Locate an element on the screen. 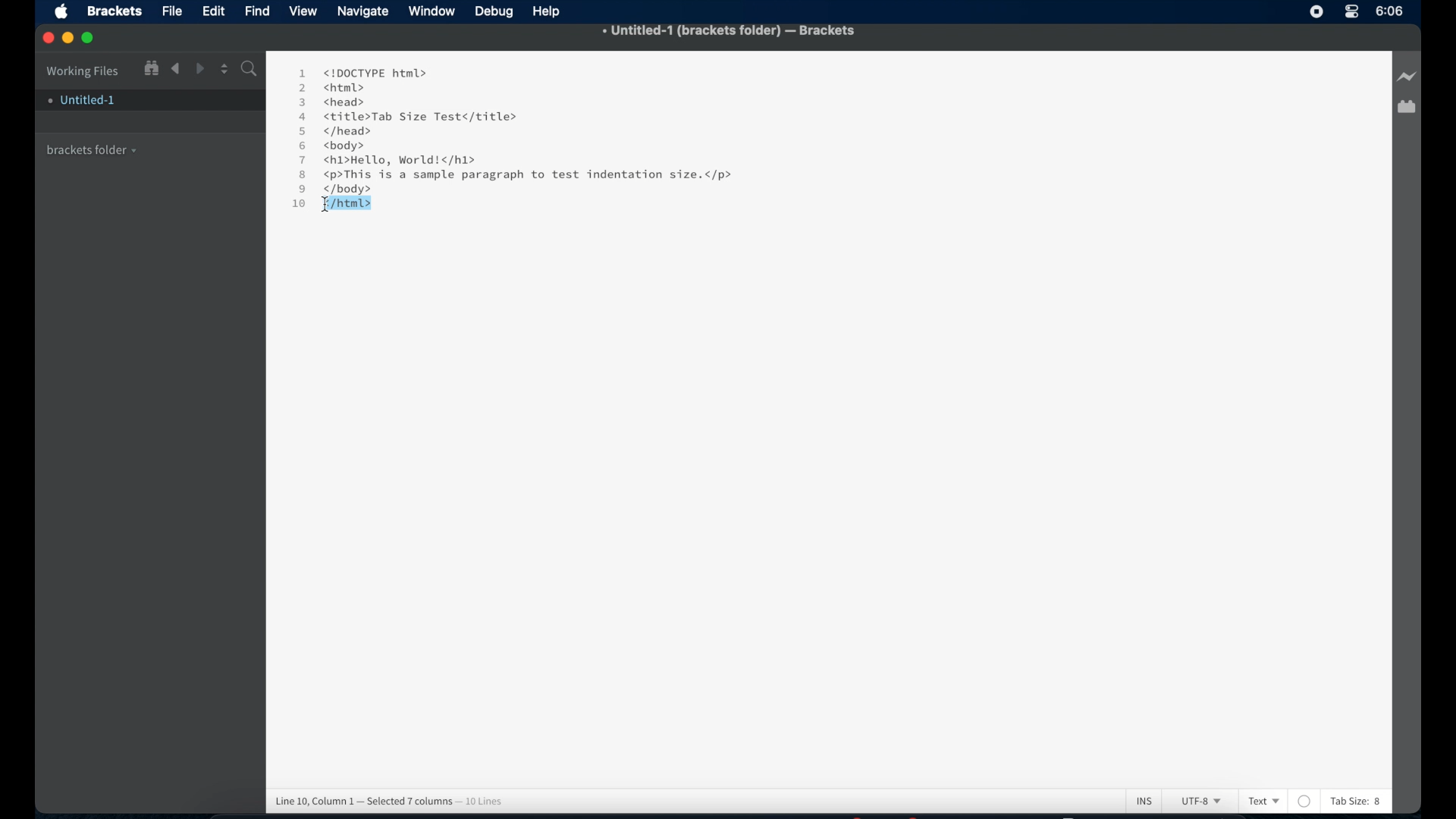 The image size is (1456, 819). . Untitled-1 (brackets folder) - Brackets is located at coordinates (730, 32).